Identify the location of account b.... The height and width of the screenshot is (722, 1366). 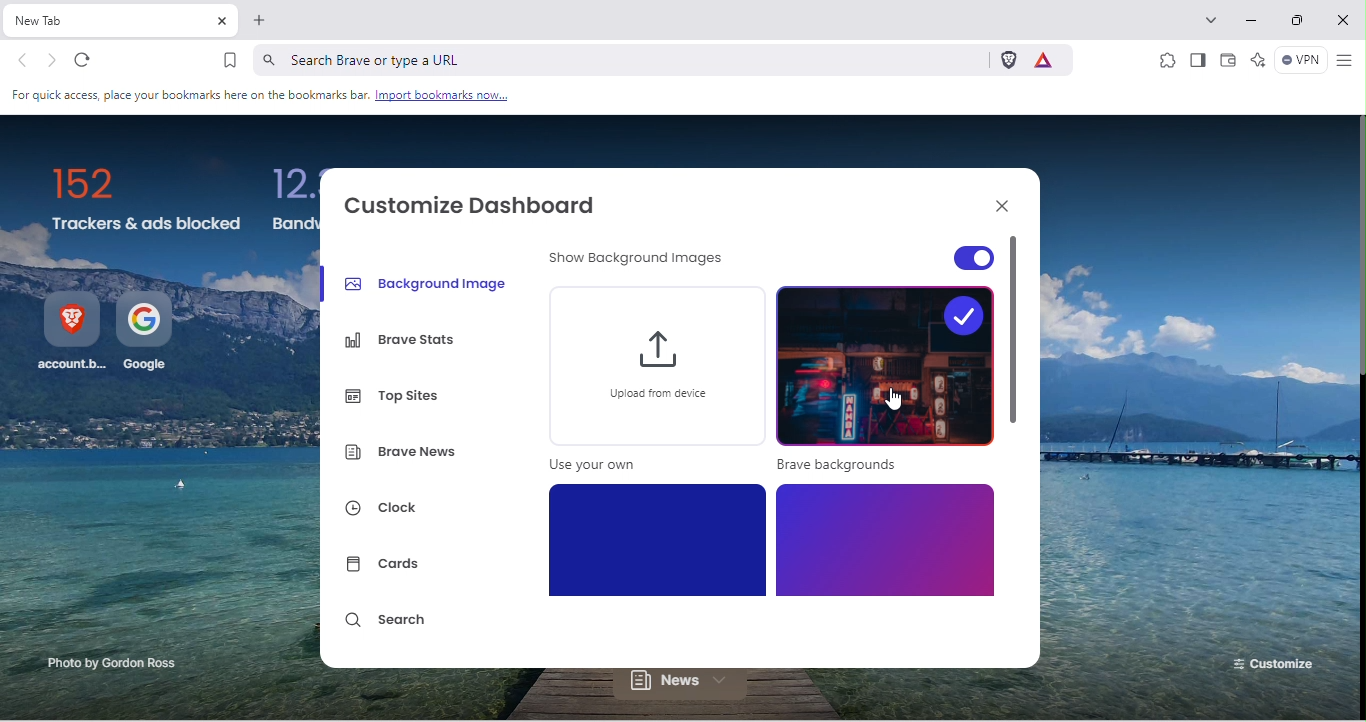
(71, 334).